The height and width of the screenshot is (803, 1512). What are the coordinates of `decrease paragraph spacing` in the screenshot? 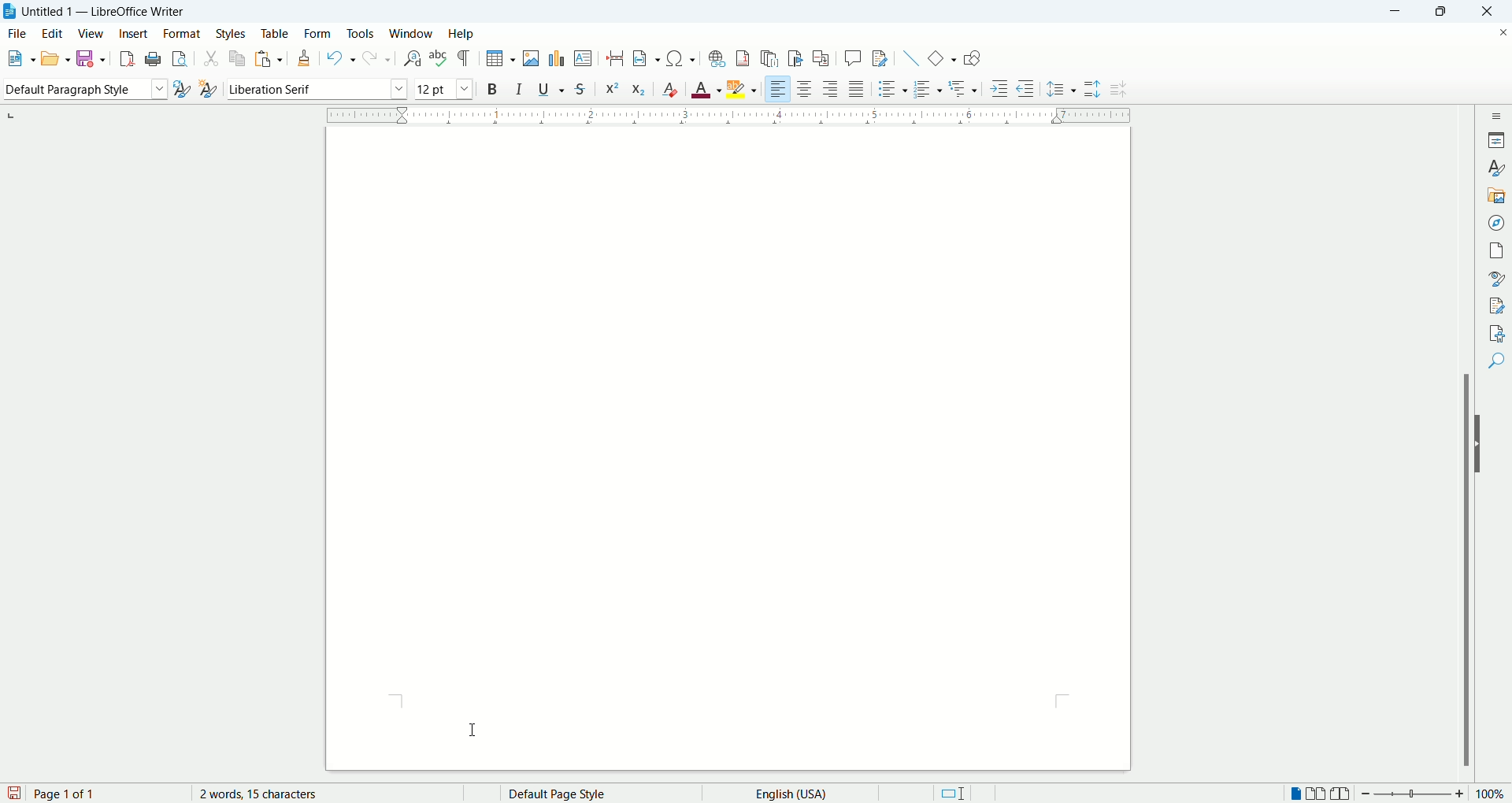 It's located at (1118, 90).